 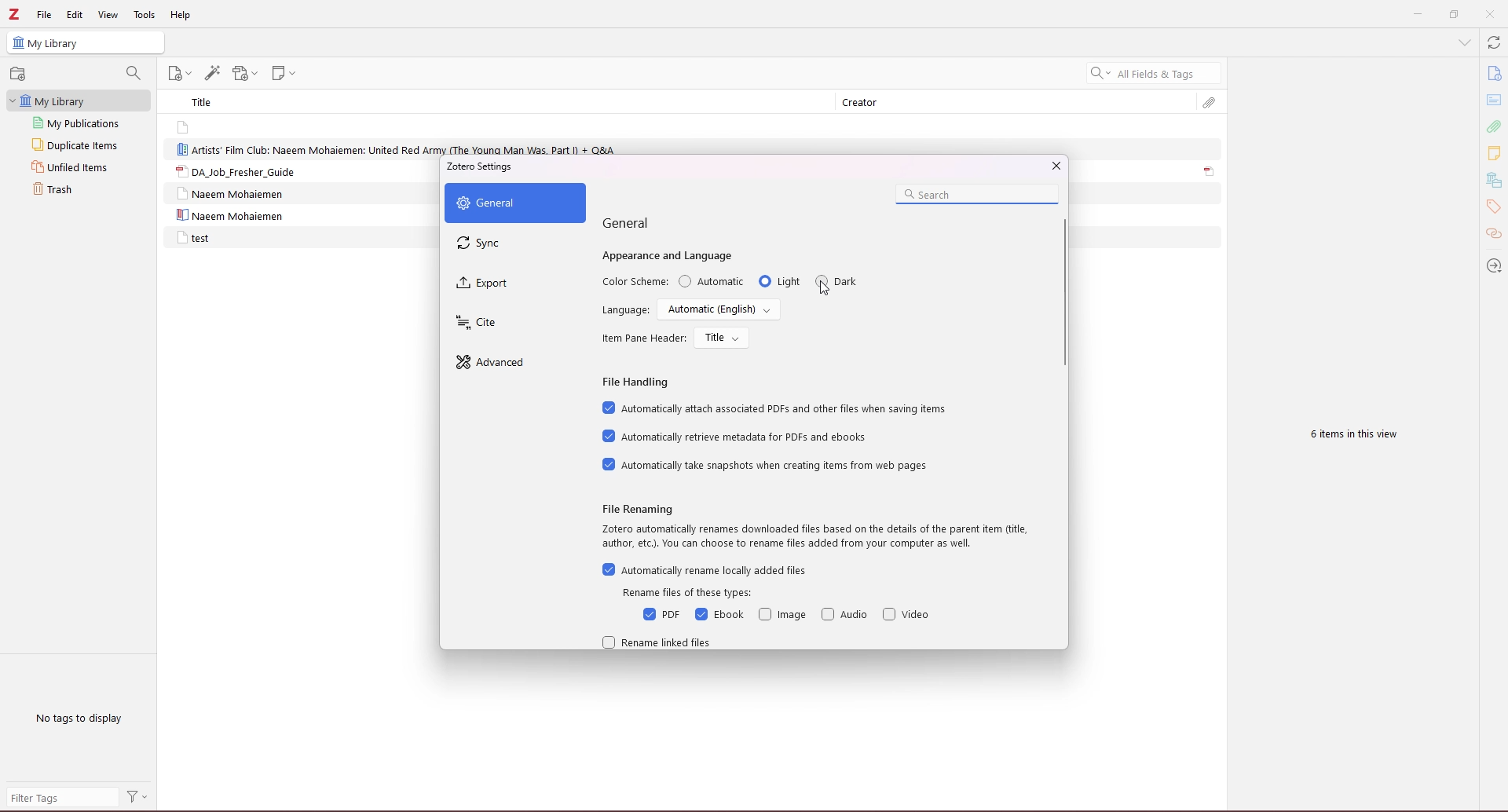 What do you see at coordinates (245, 74) in the screenshot?
I see `add attachment` at bounding box center [245, 74].